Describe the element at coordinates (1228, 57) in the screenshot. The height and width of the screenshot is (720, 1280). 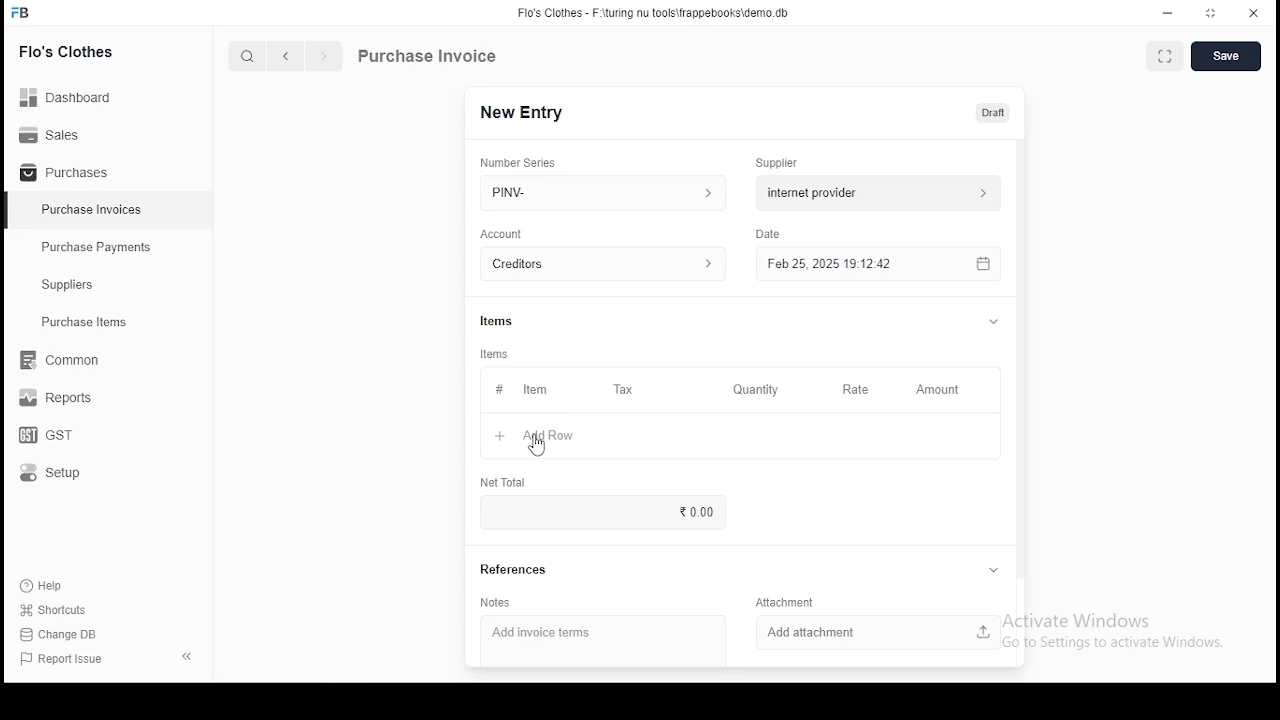
I see `create` at that location.